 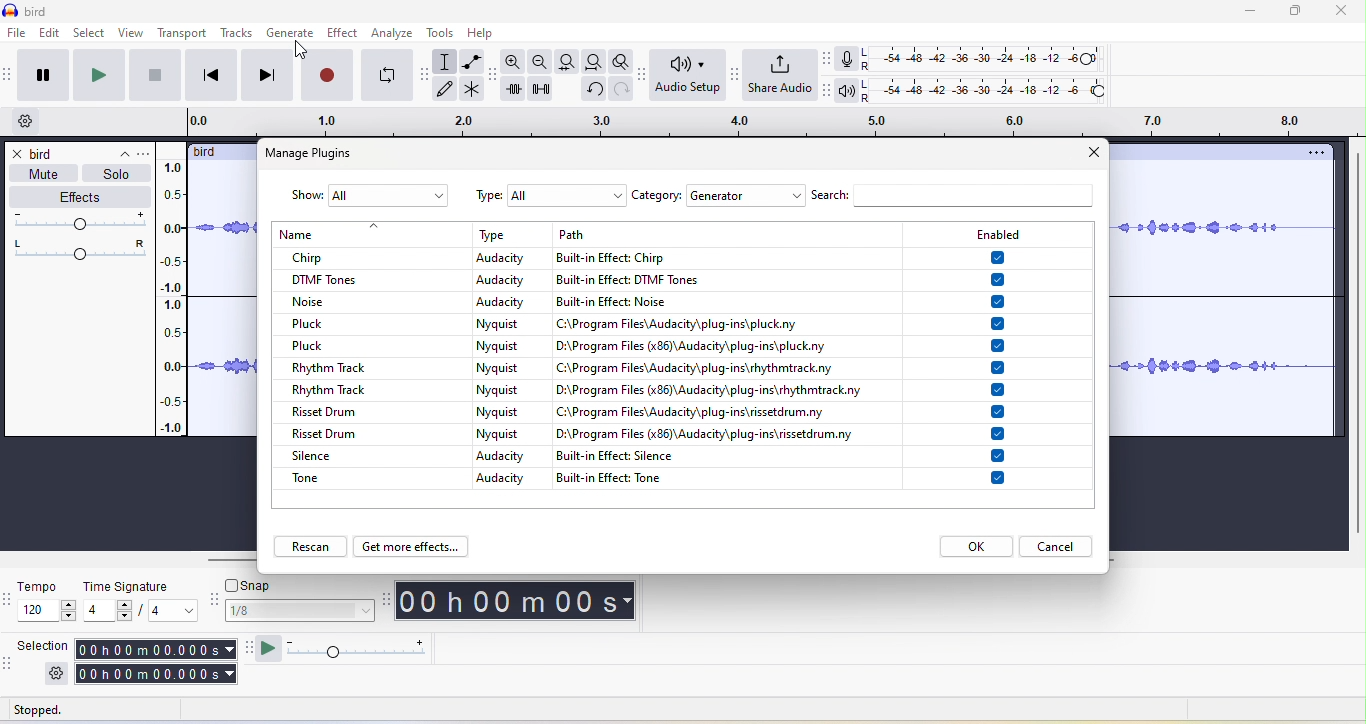 What do you see at coordinates (40, 645) in the screenshot?
I see `selection` at bounding box center [40, 645].